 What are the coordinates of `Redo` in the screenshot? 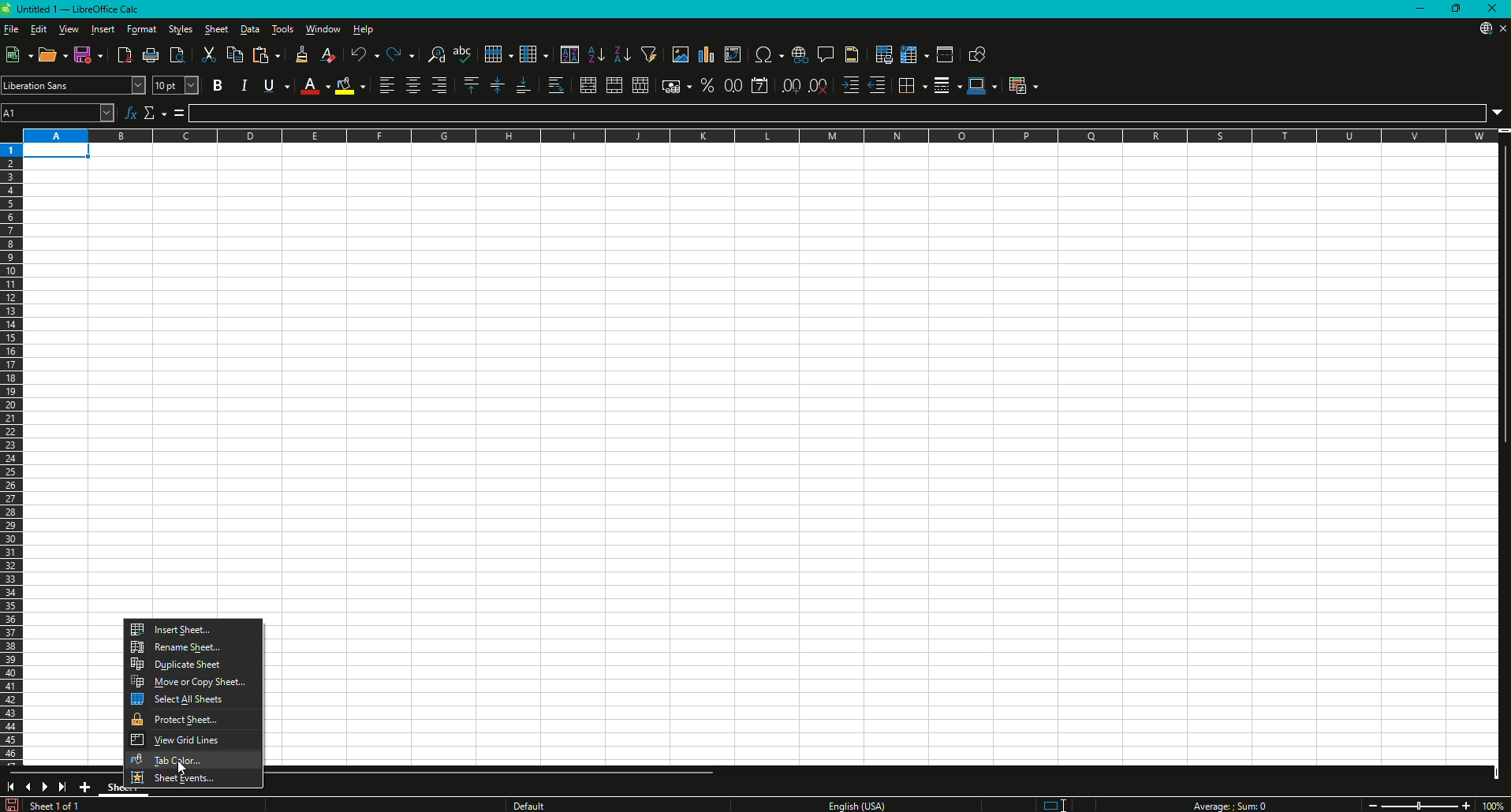 It's located at (401, 54).